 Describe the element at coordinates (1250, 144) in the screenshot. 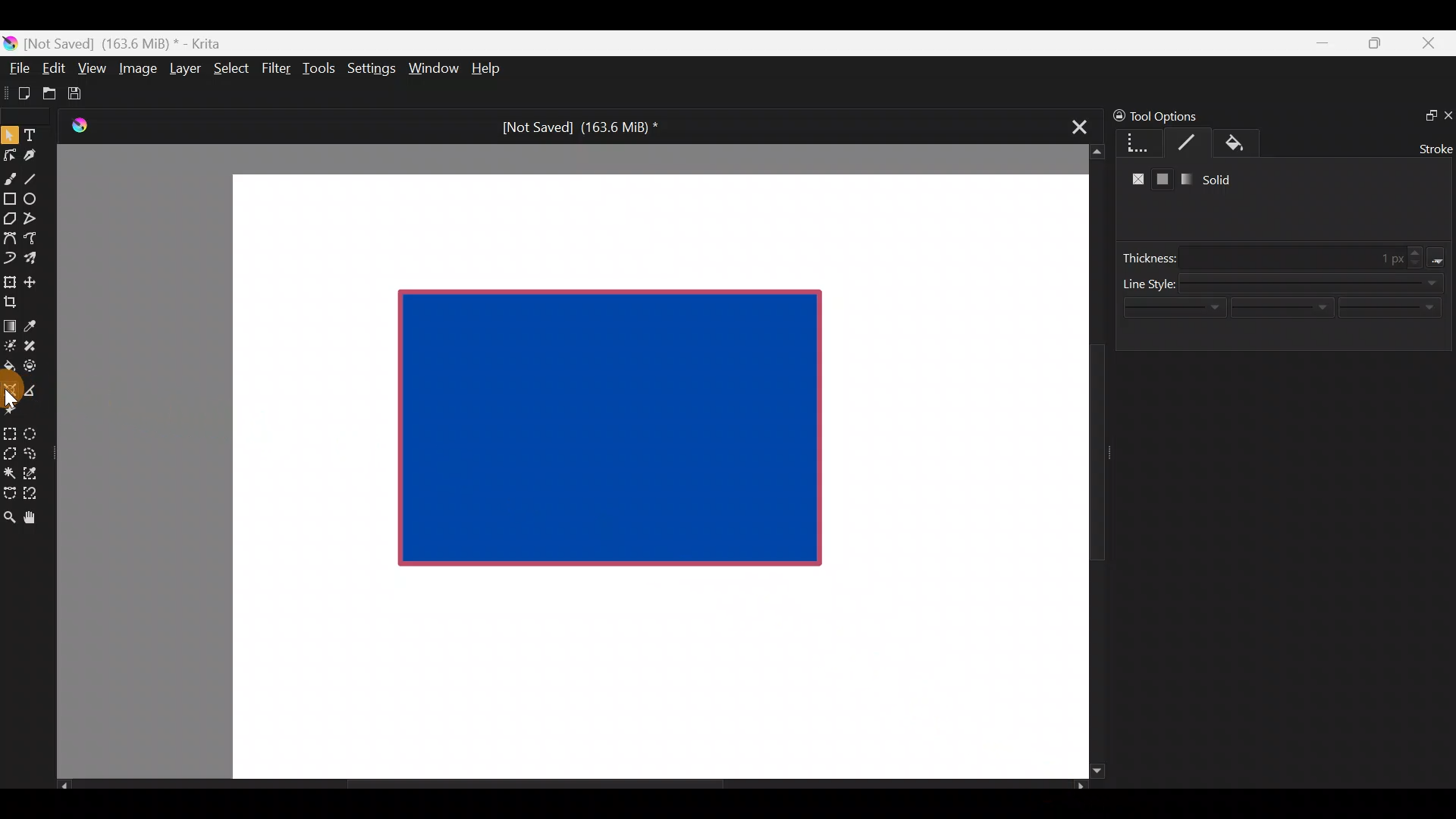

I see `Fill` at that location.